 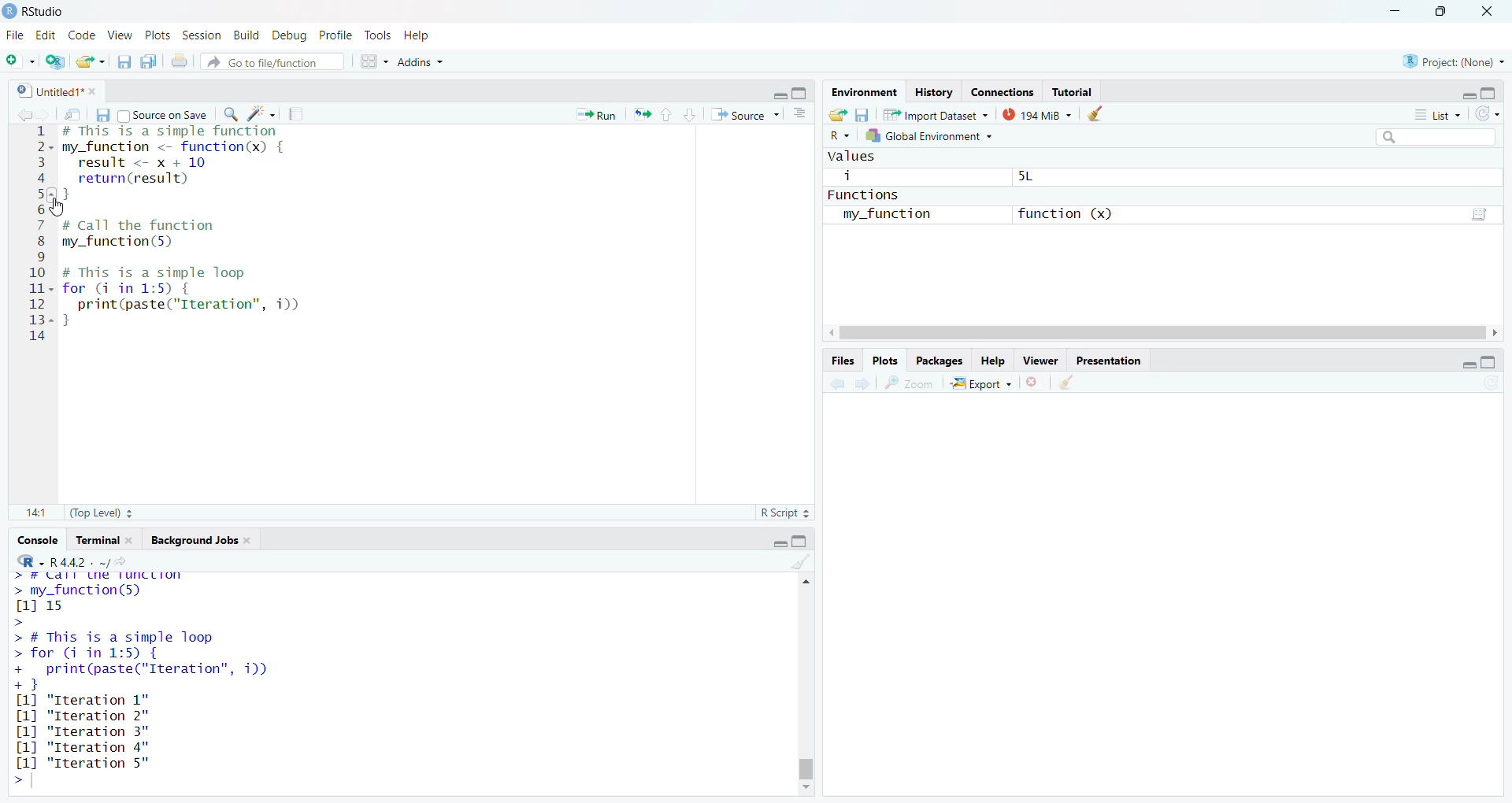 What do you see at coordinates (80, 763) in the screenshot?
I see `[1] "Iteration 5"` at bounding box center [80, 763].